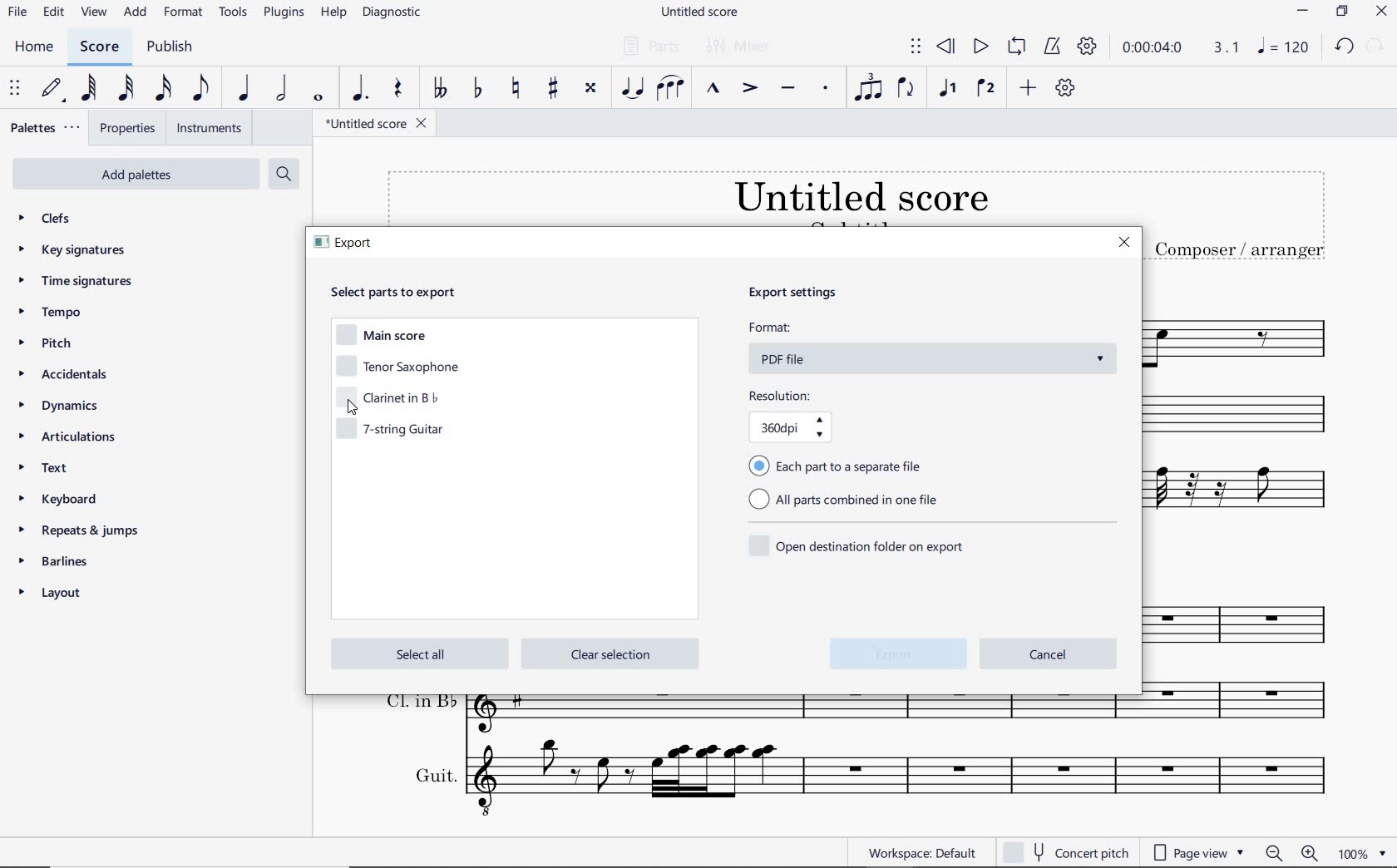 This screenshot has width=1397, height=868. I want to click on Cl. in B, so click(757, 715).